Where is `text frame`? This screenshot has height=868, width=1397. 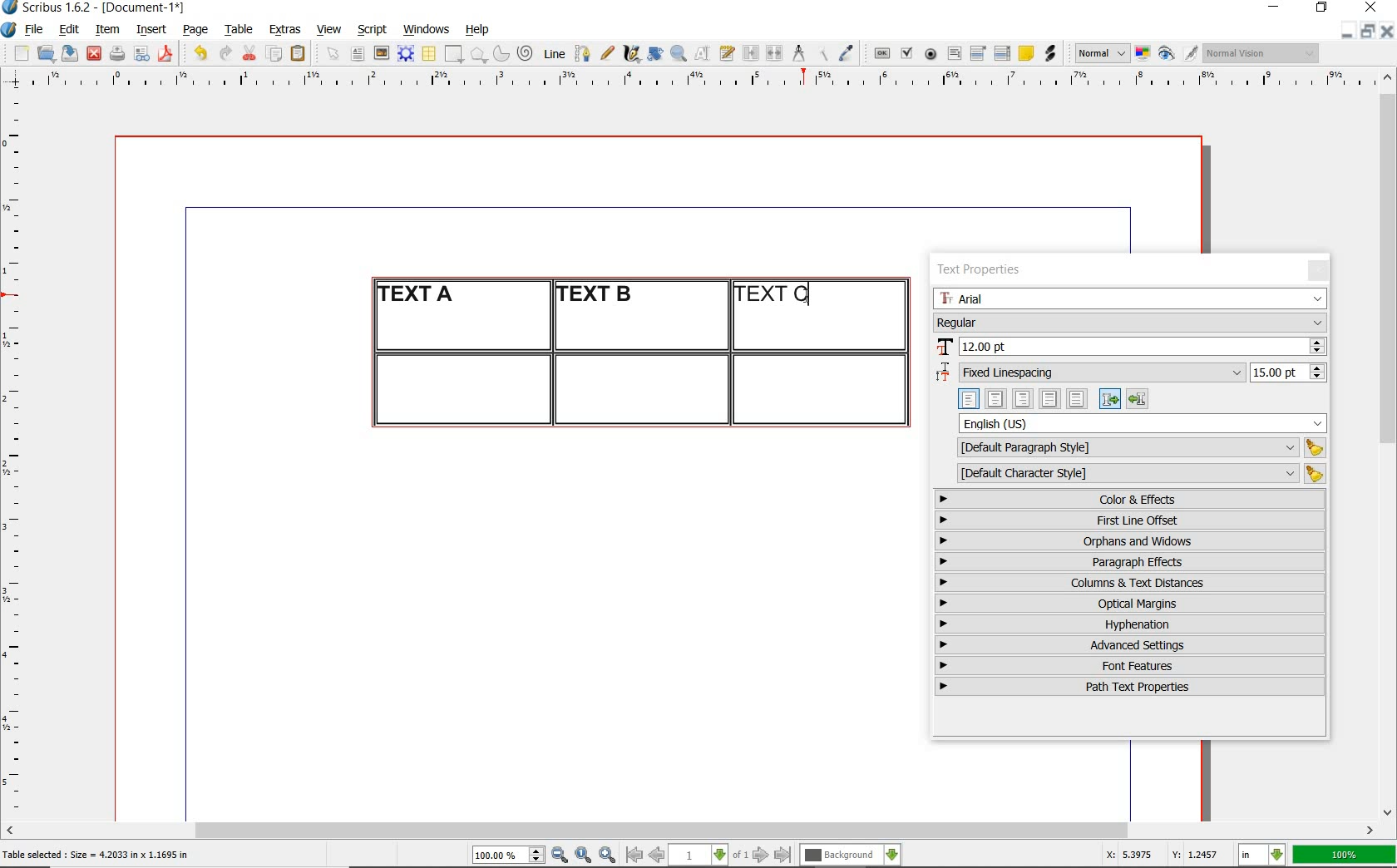
text frame is located at coordinates (357, 55).